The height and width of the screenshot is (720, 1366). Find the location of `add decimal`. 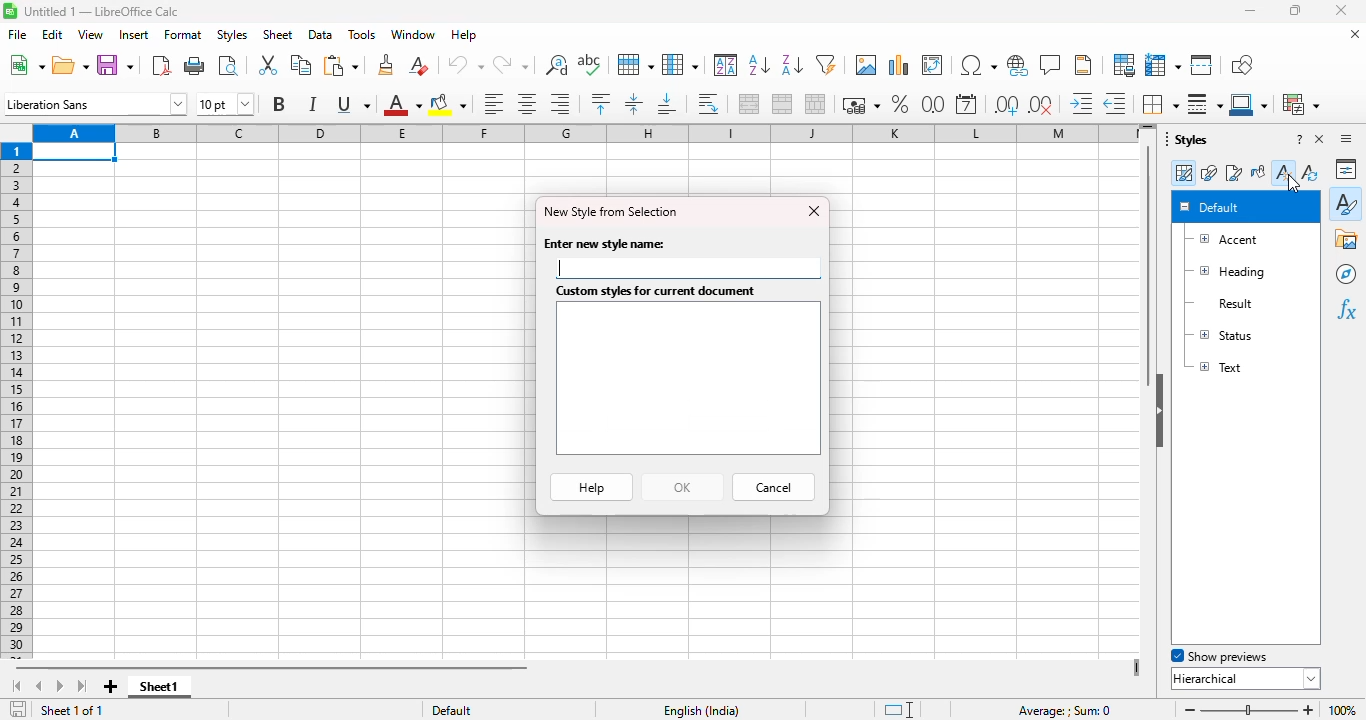

add decimal is located at coordinates (1007, 105).